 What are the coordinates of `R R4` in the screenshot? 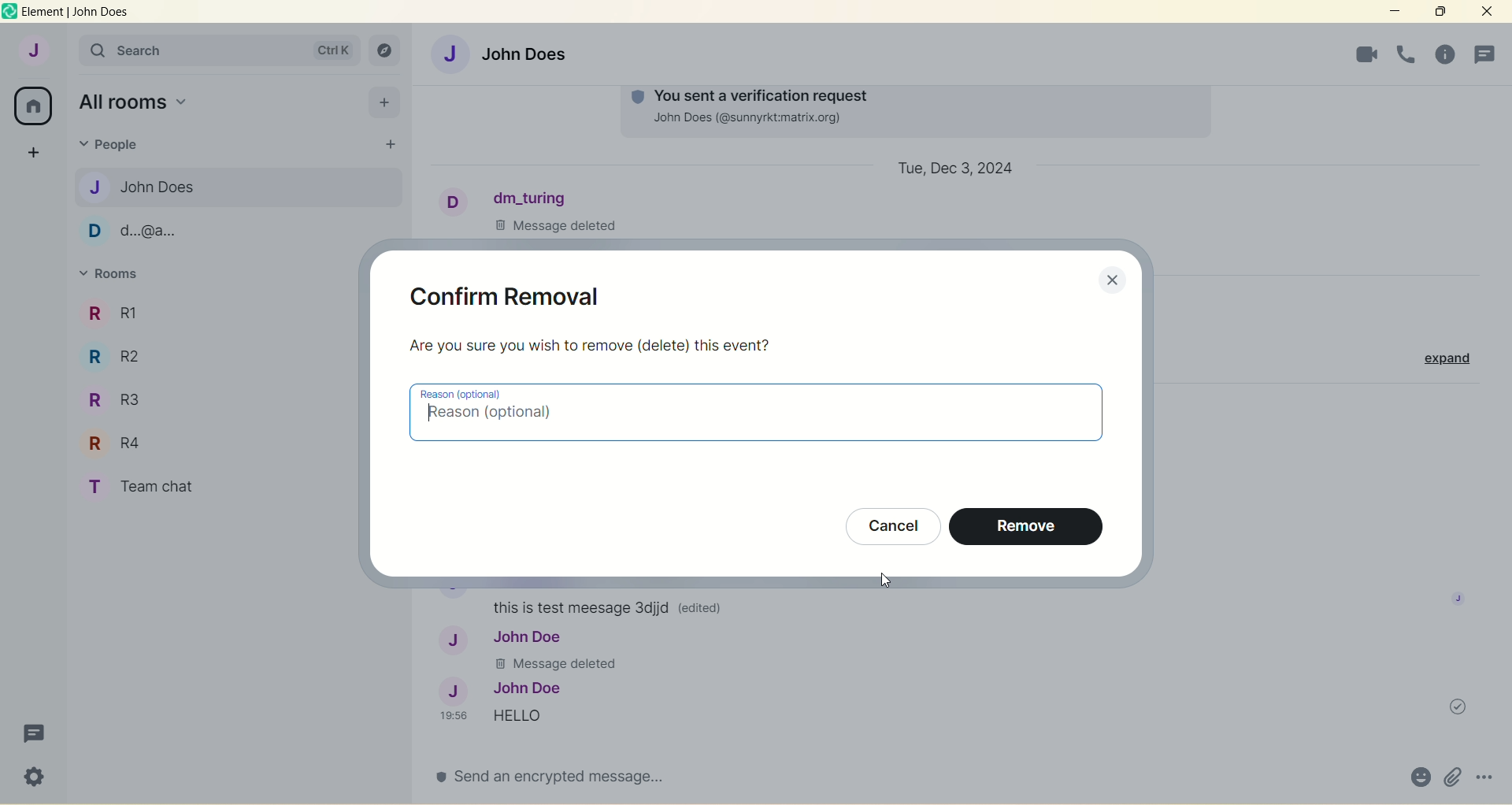 It's located at (117, 443).